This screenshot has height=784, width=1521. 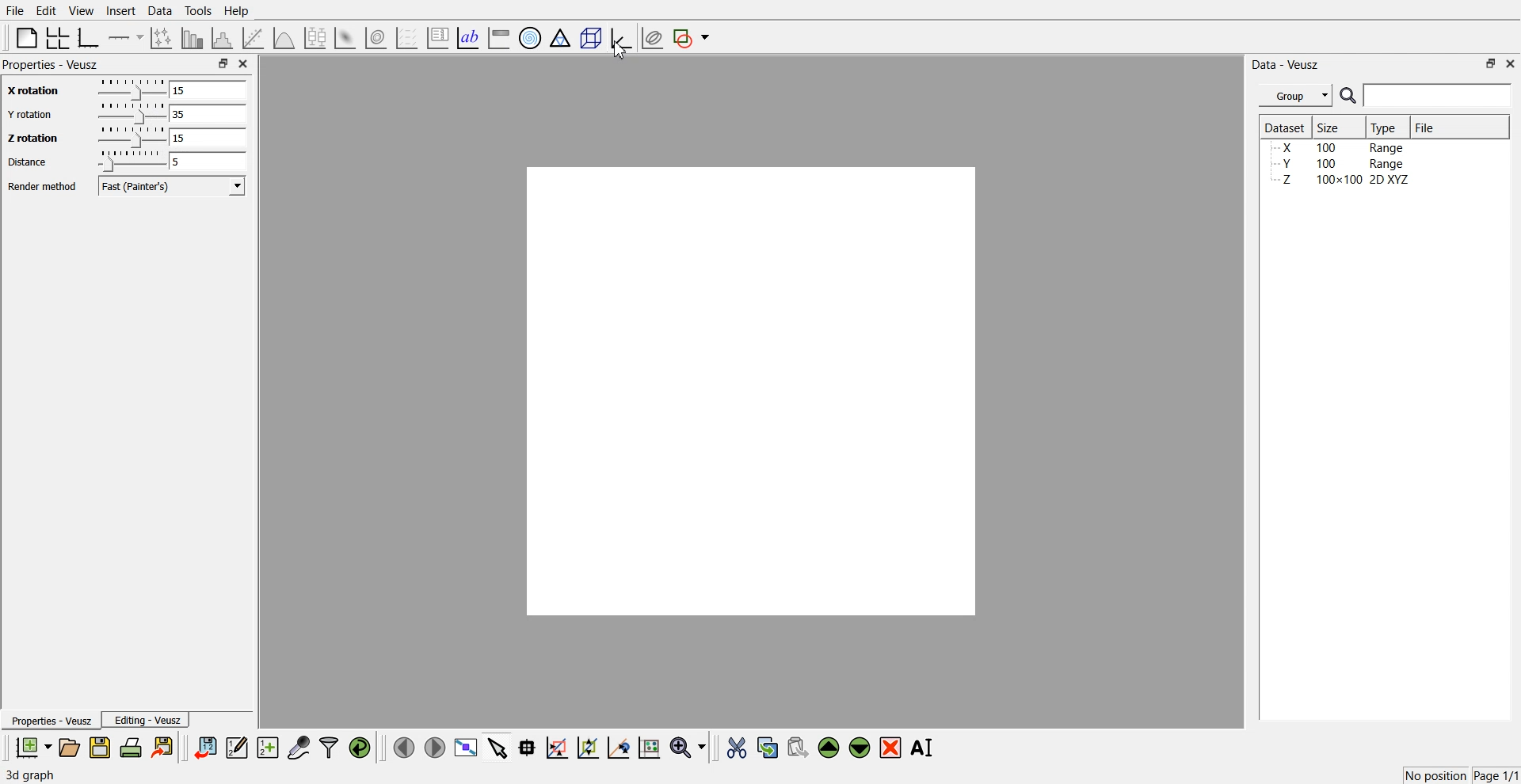 I want to click on Dropdown, so click(x=238, y=185).